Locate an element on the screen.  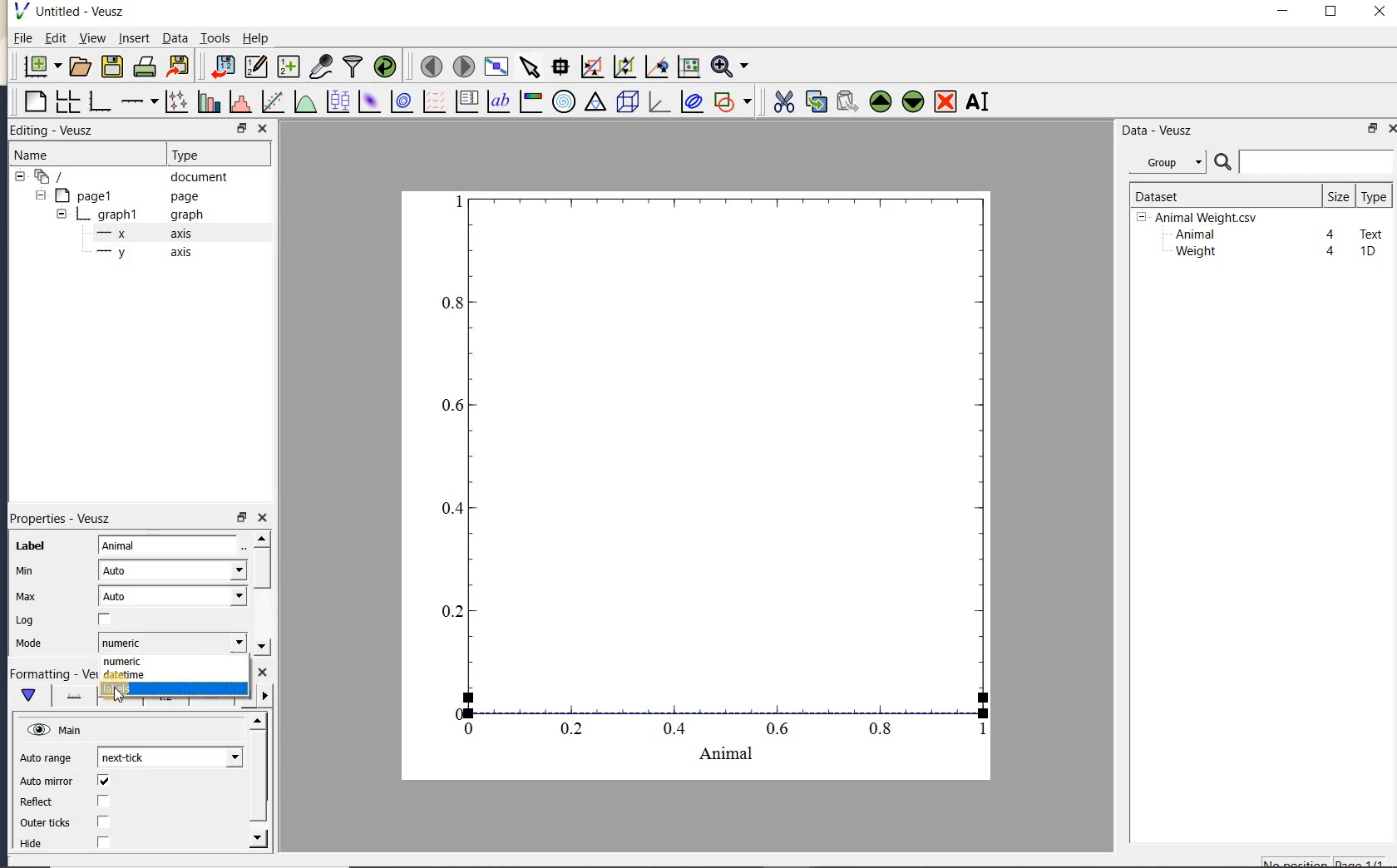
click to reset graph axes is located at coordinates (689, 67).